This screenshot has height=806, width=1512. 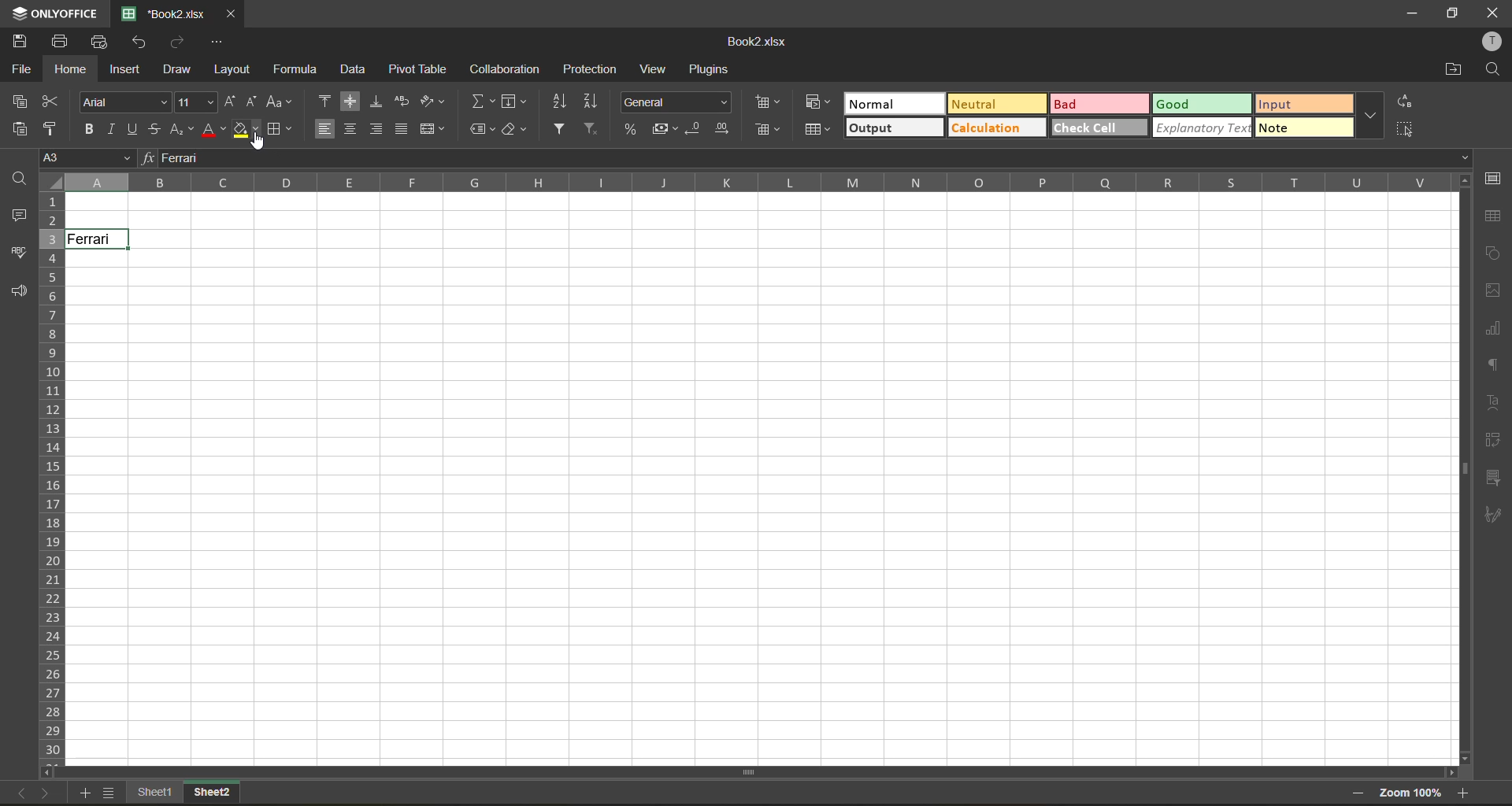 What do you see at coordinates (110, 793) in the screenshot?
I see `sheet list` at bounding box center [110, 793].